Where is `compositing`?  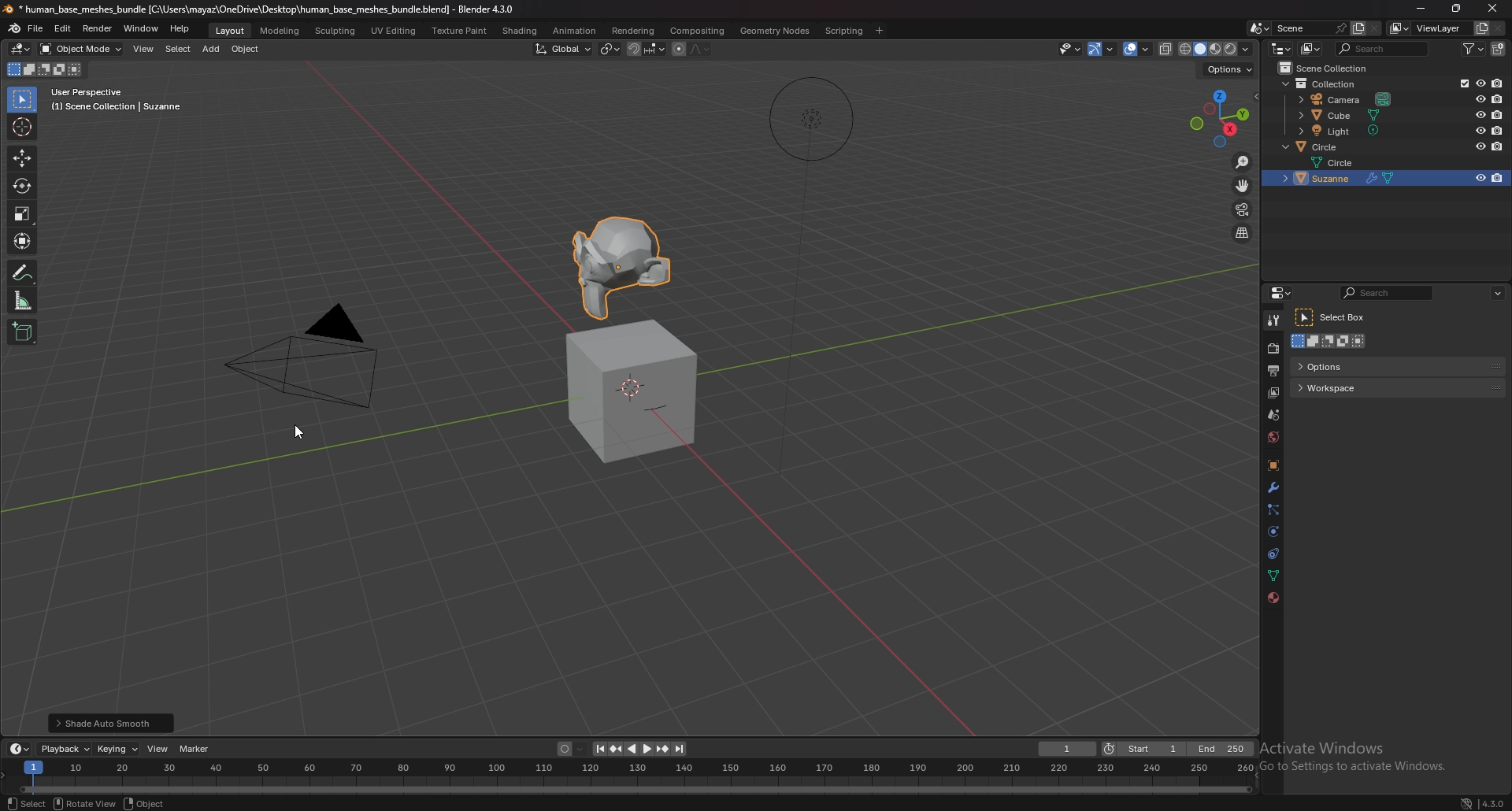
compositing is located at coordinates (699, 30).